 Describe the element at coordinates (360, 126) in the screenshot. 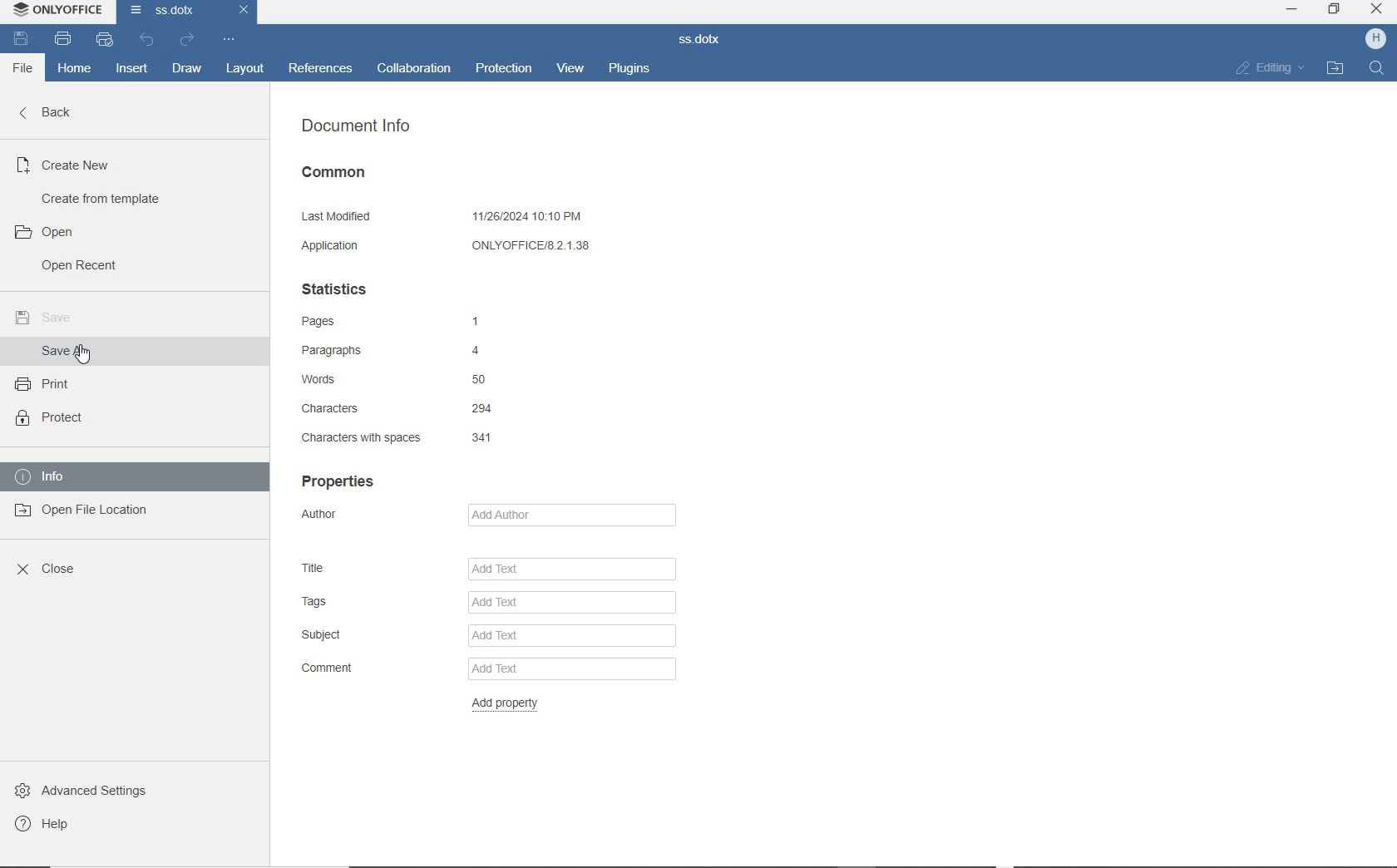

I see `DOCUMENT INFO` at that location.